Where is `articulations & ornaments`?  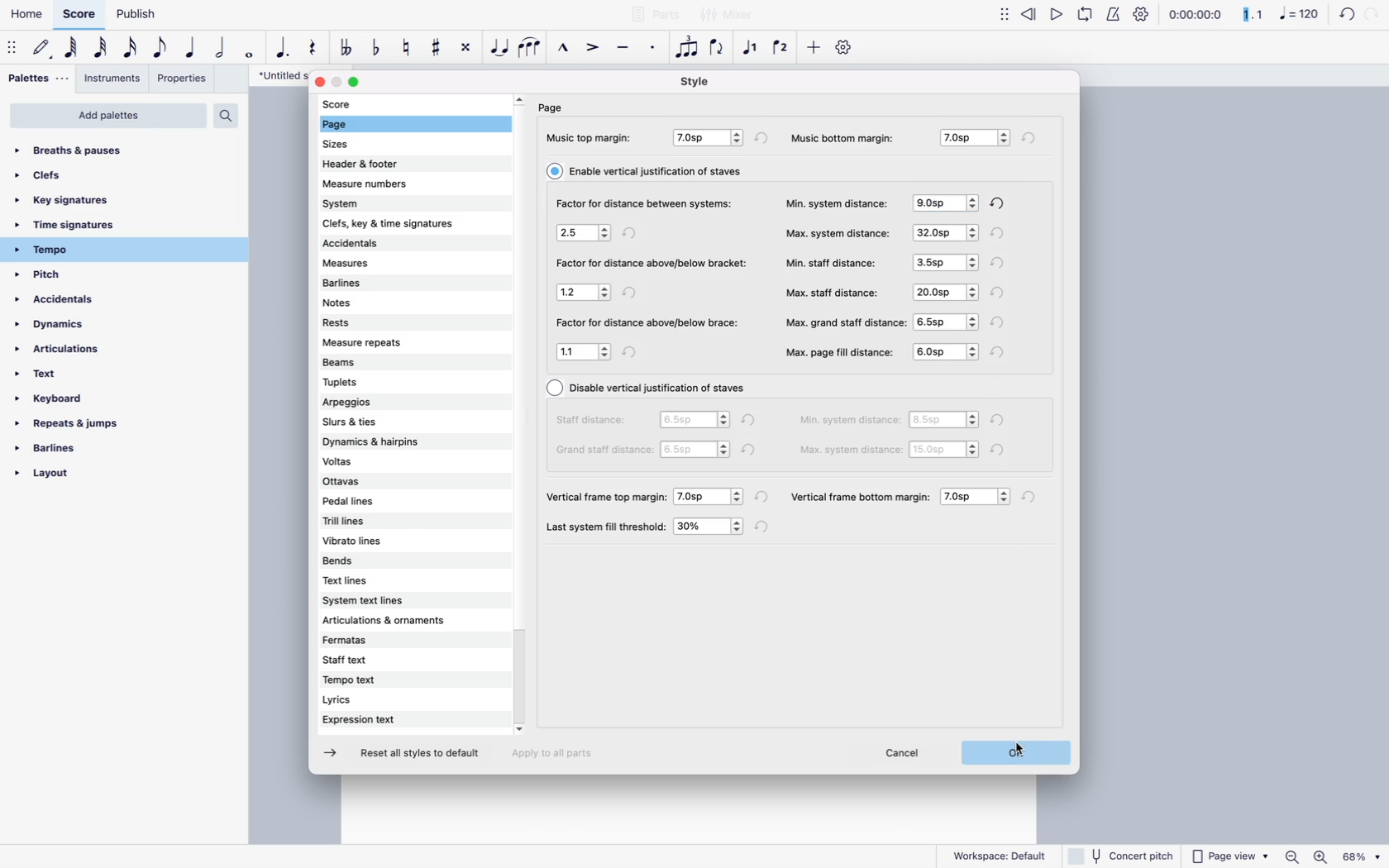
articulations & ornaments is located at coordinates (393, 621).